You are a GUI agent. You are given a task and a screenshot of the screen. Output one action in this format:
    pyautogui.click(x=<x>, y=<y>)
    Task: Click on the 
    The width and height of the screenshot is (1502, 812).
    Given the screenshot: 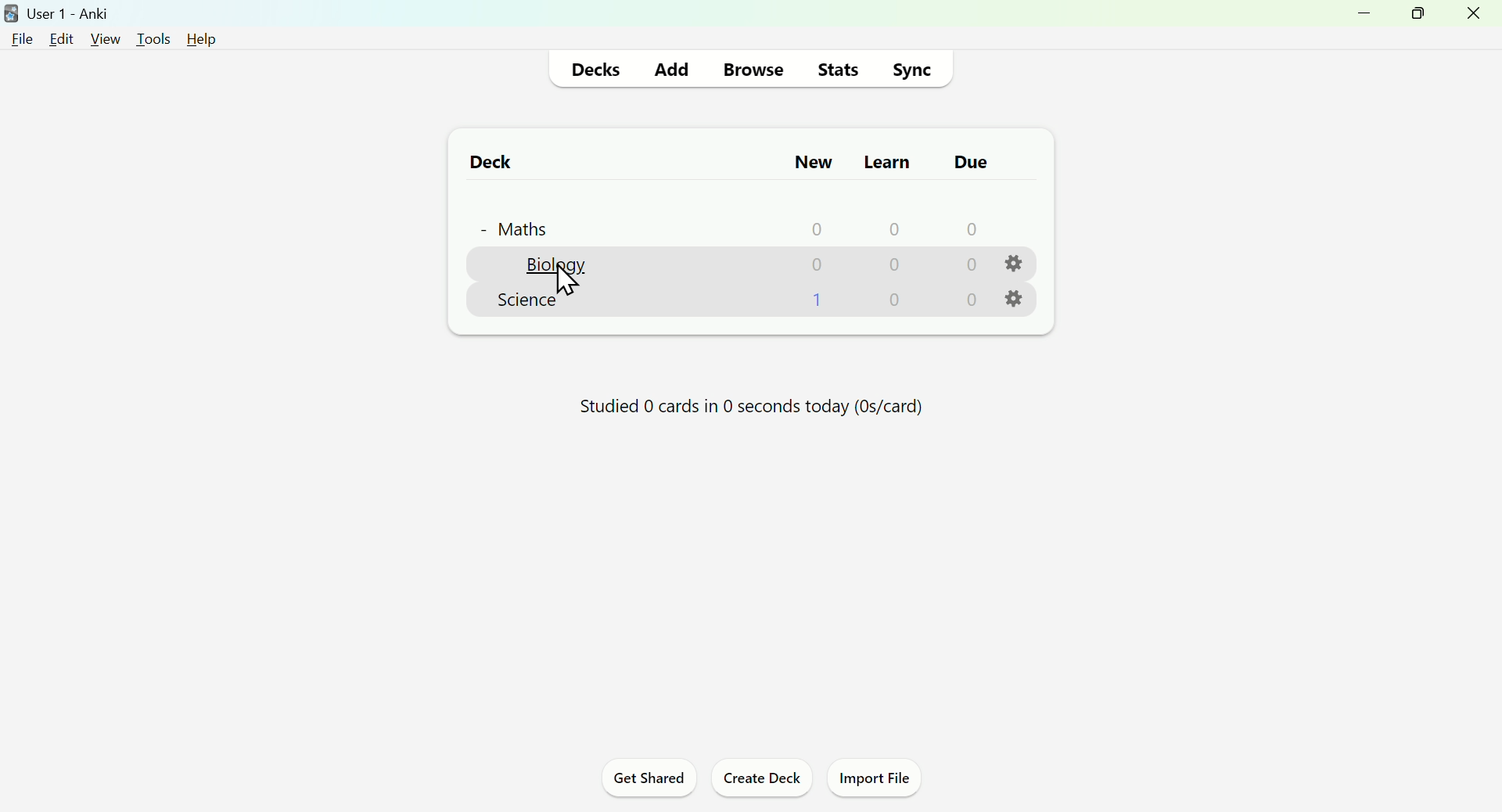 What is the action you would take?
    pyautogui.click(x=1418, y=16)
    